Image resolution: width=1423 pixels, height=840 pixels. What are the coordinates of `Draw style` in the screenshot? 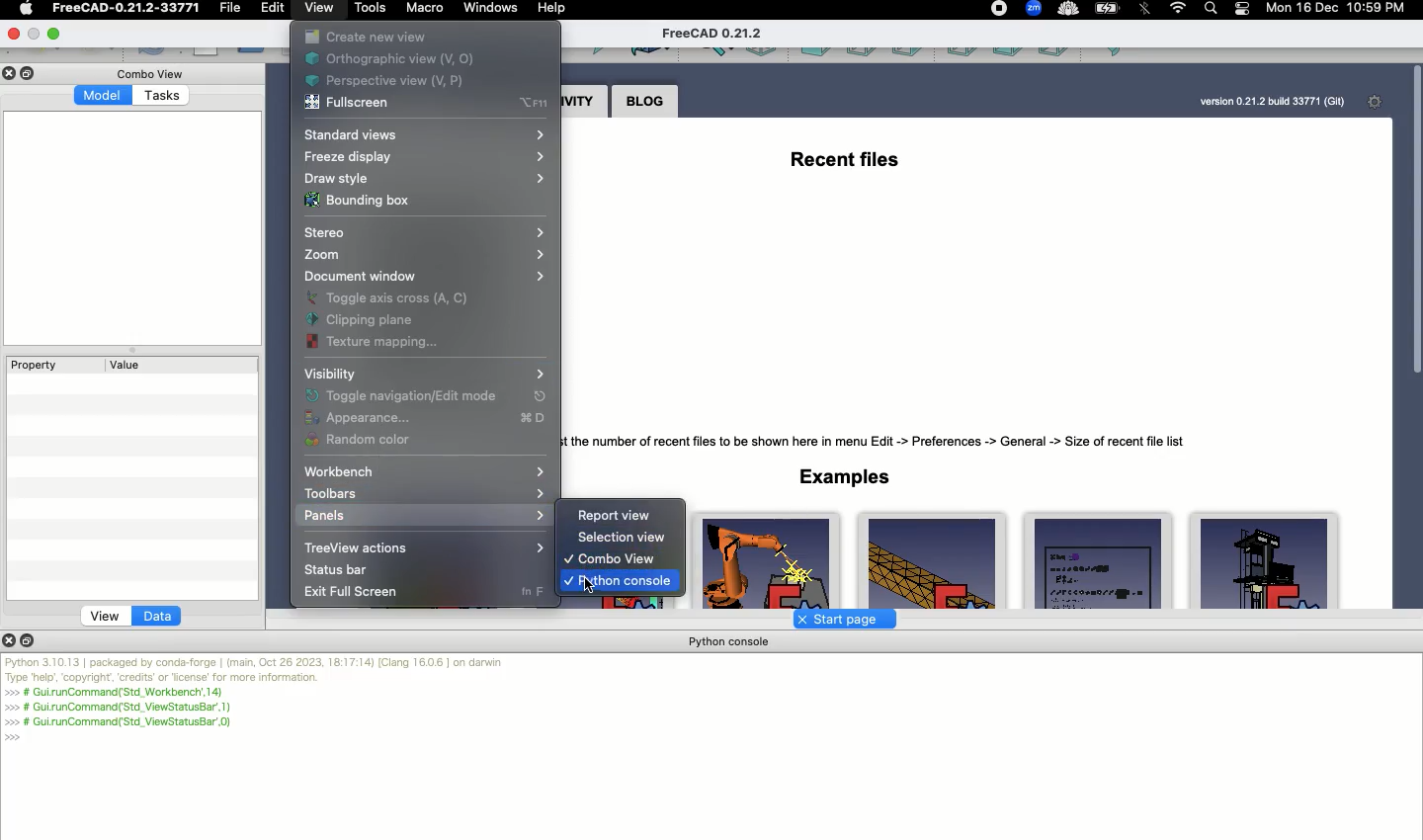 It's located at (423, 180).